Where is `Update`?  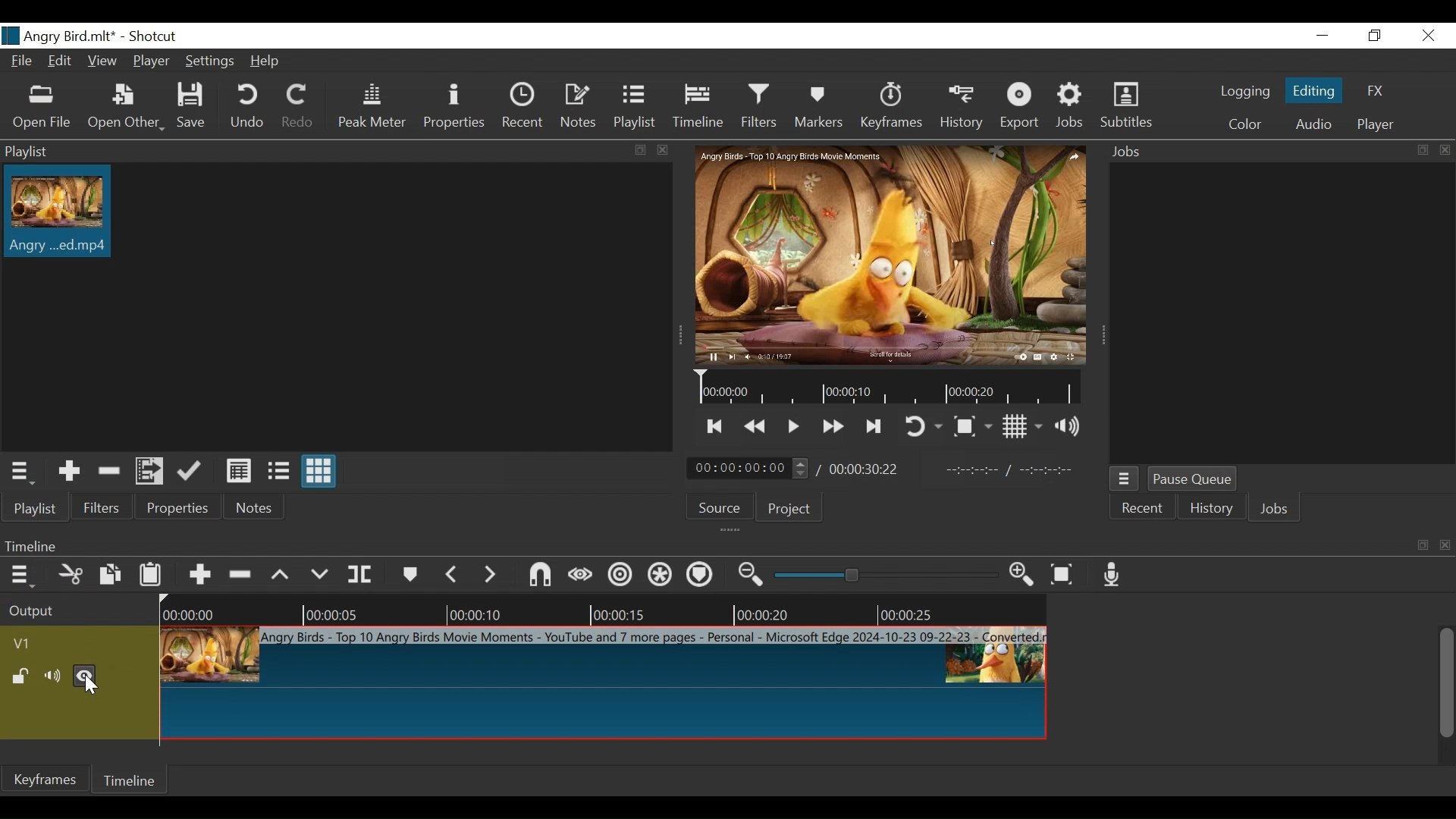 Update is located at coordinates (190, 471).